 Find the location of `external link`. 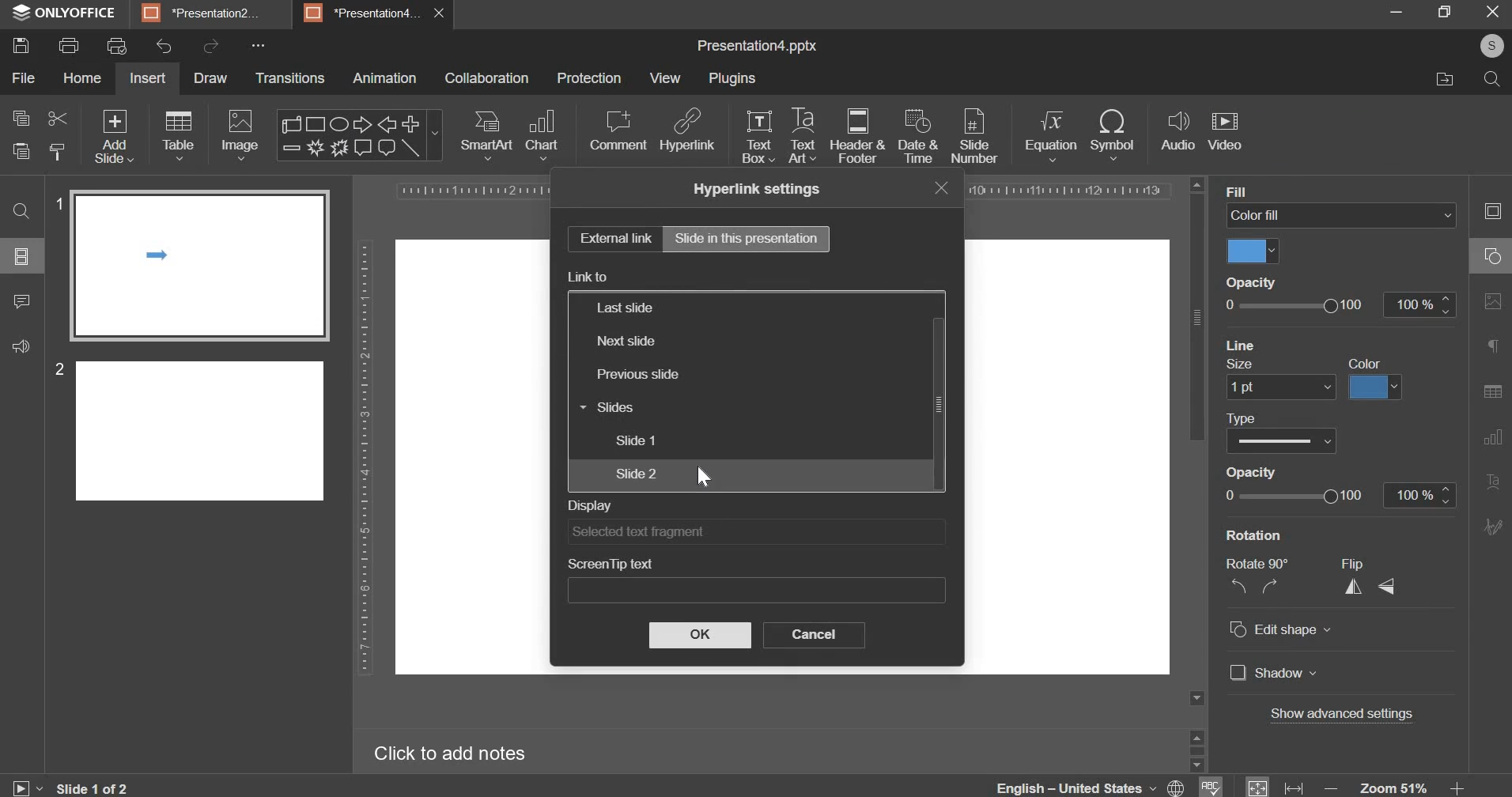

external link is located at coordinates (613, 238).